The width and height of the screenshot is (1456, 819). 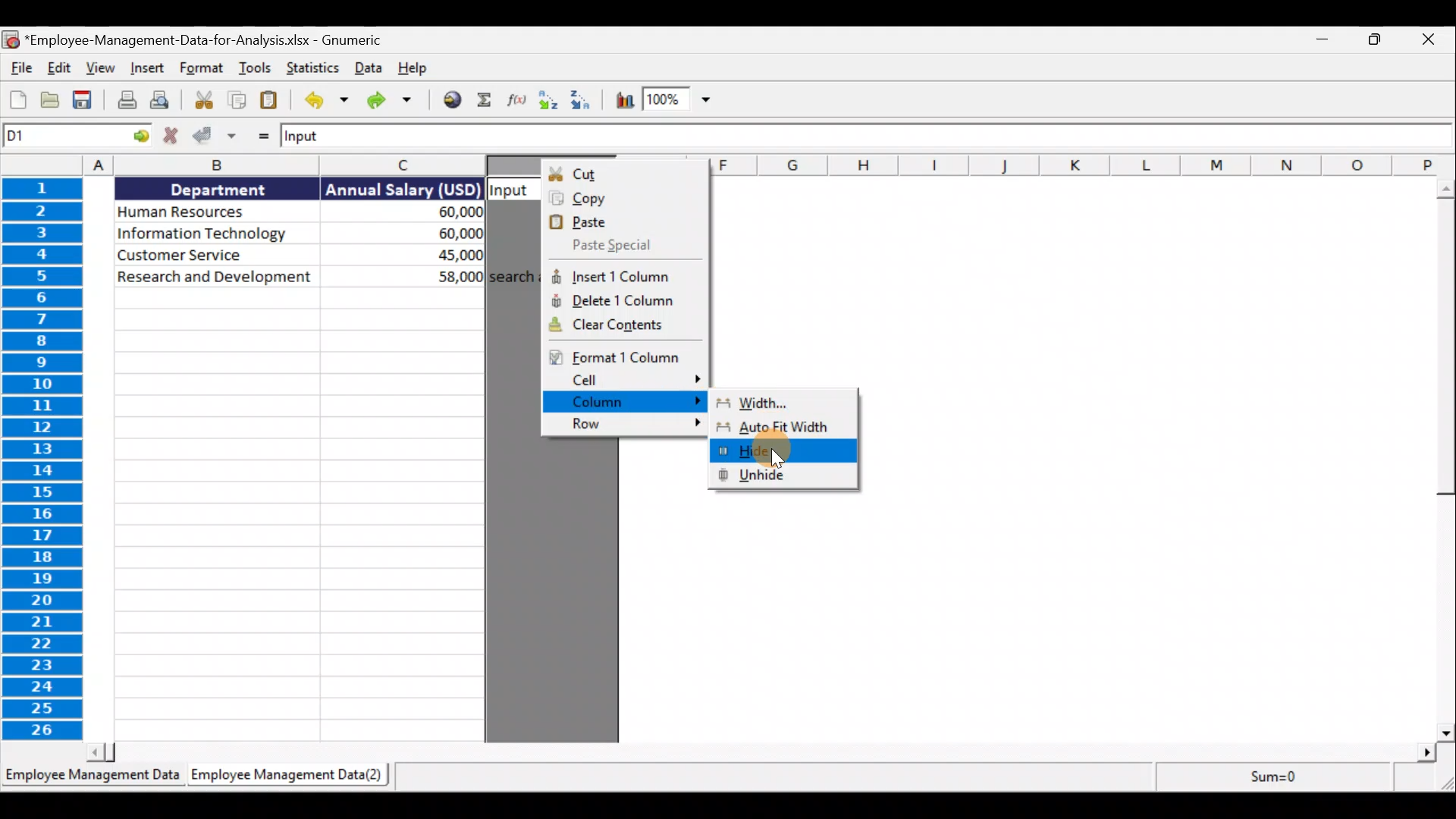 I want to click on Clear contents, so click(x=624, y=328).